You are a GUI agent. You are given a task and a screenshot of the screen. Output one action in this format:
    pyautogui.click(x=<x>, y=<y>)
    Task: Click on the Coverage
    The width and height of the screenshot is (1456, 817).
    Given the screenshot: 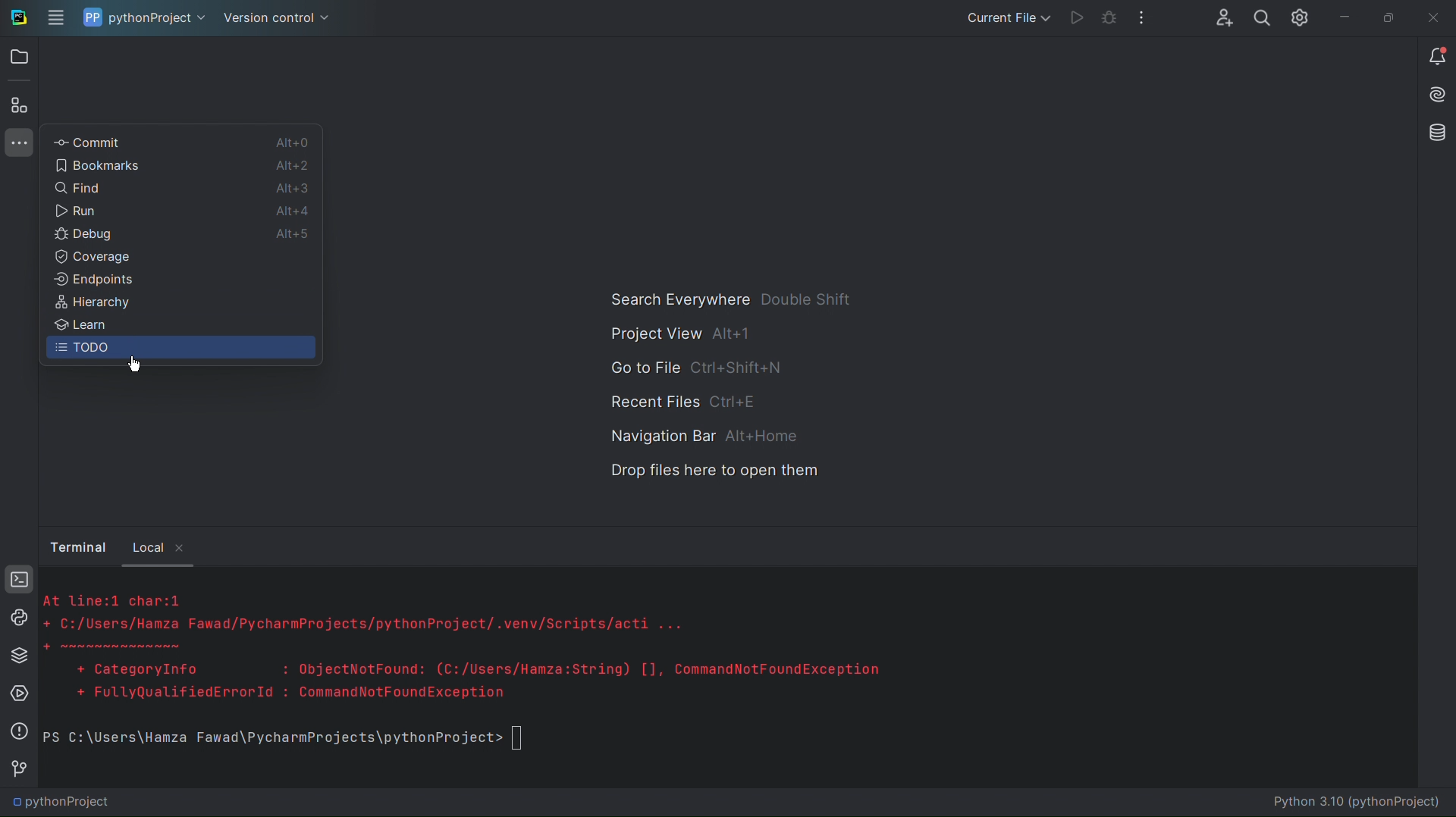 What is the action you would take?
    pyautogui.click(x=112, y=258)
    